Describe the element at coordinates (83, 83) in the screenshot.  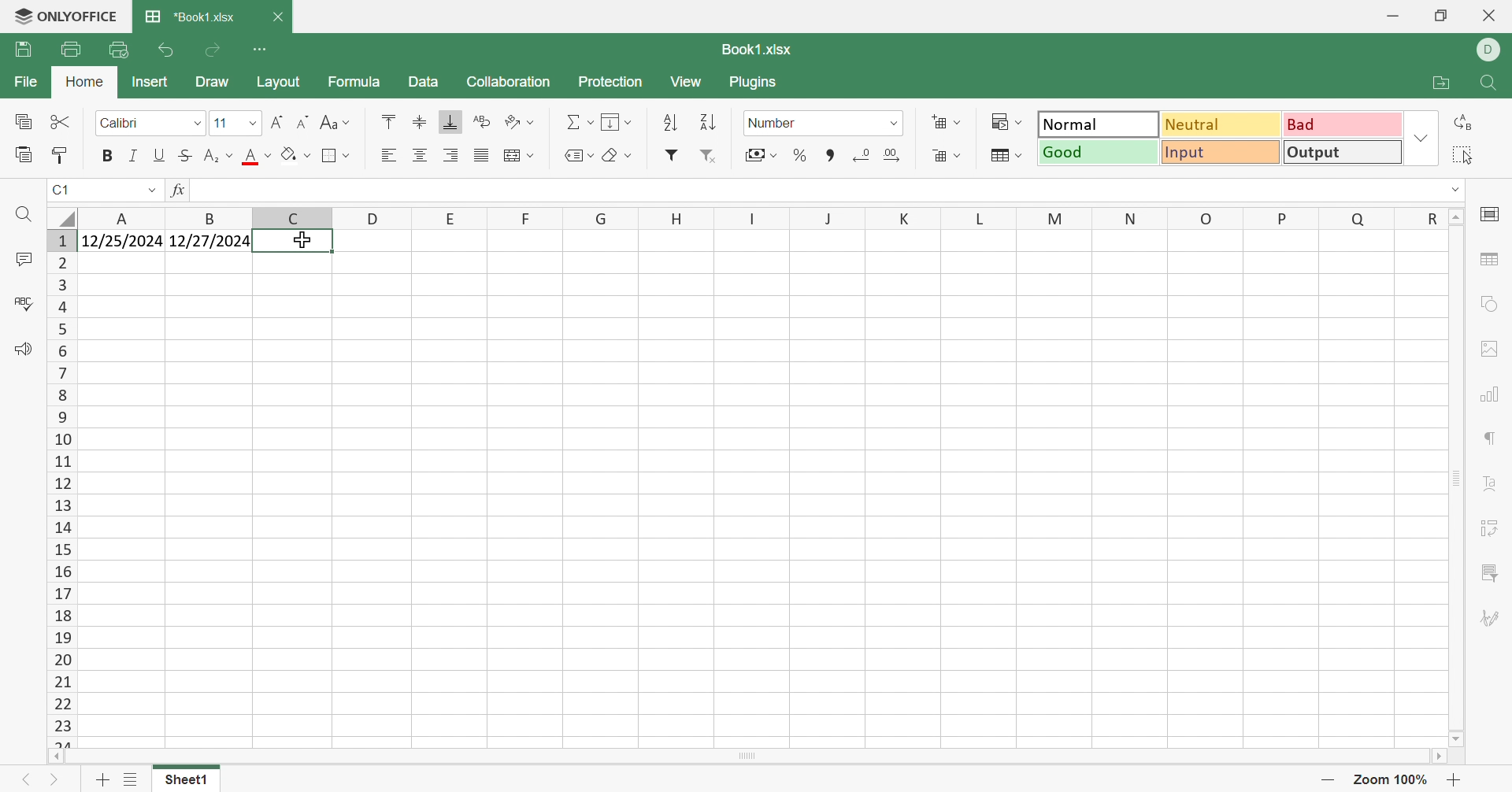
I see `Home` at that location.